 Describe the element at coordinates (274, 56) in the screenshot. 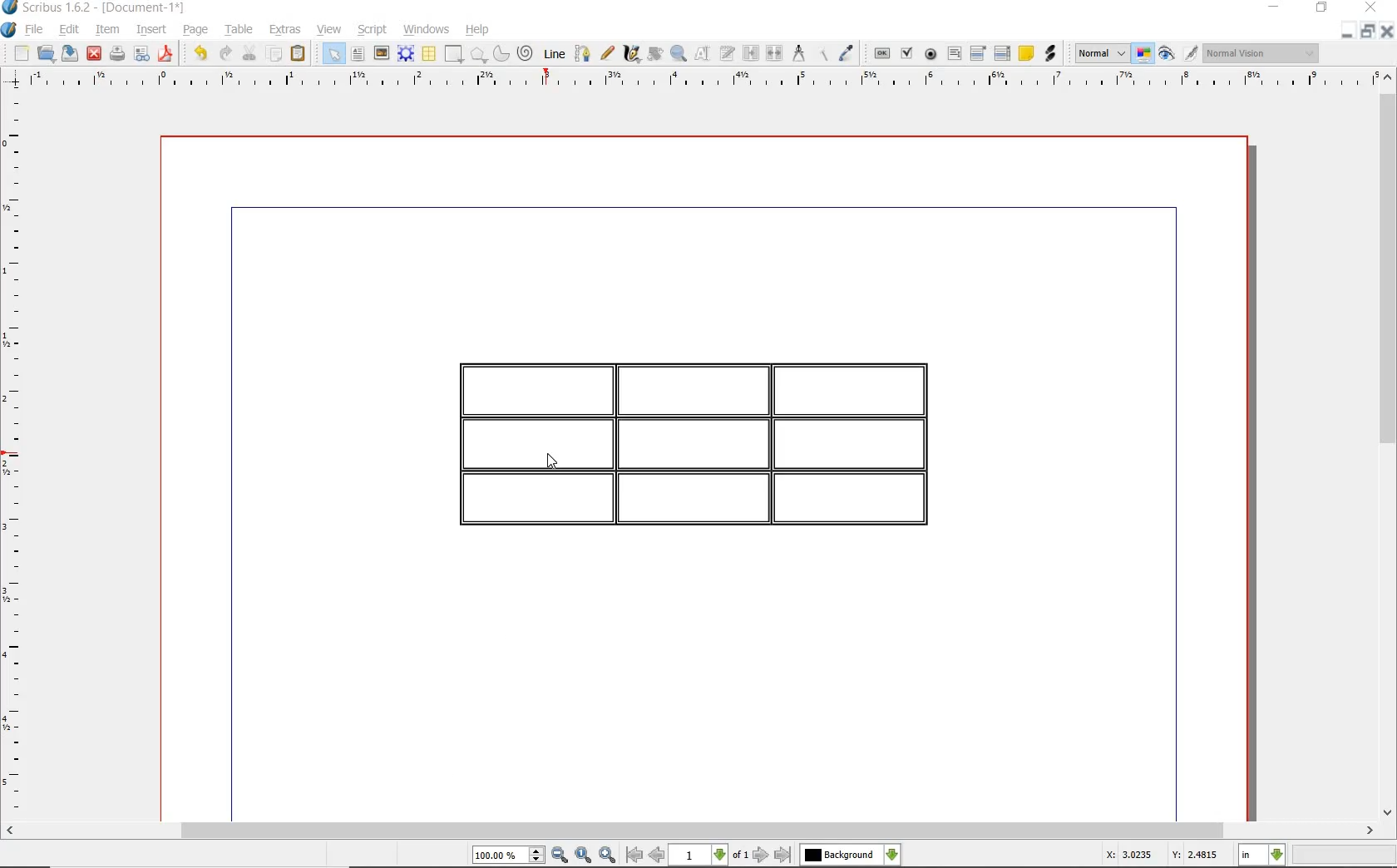

I see `copy` at that location.